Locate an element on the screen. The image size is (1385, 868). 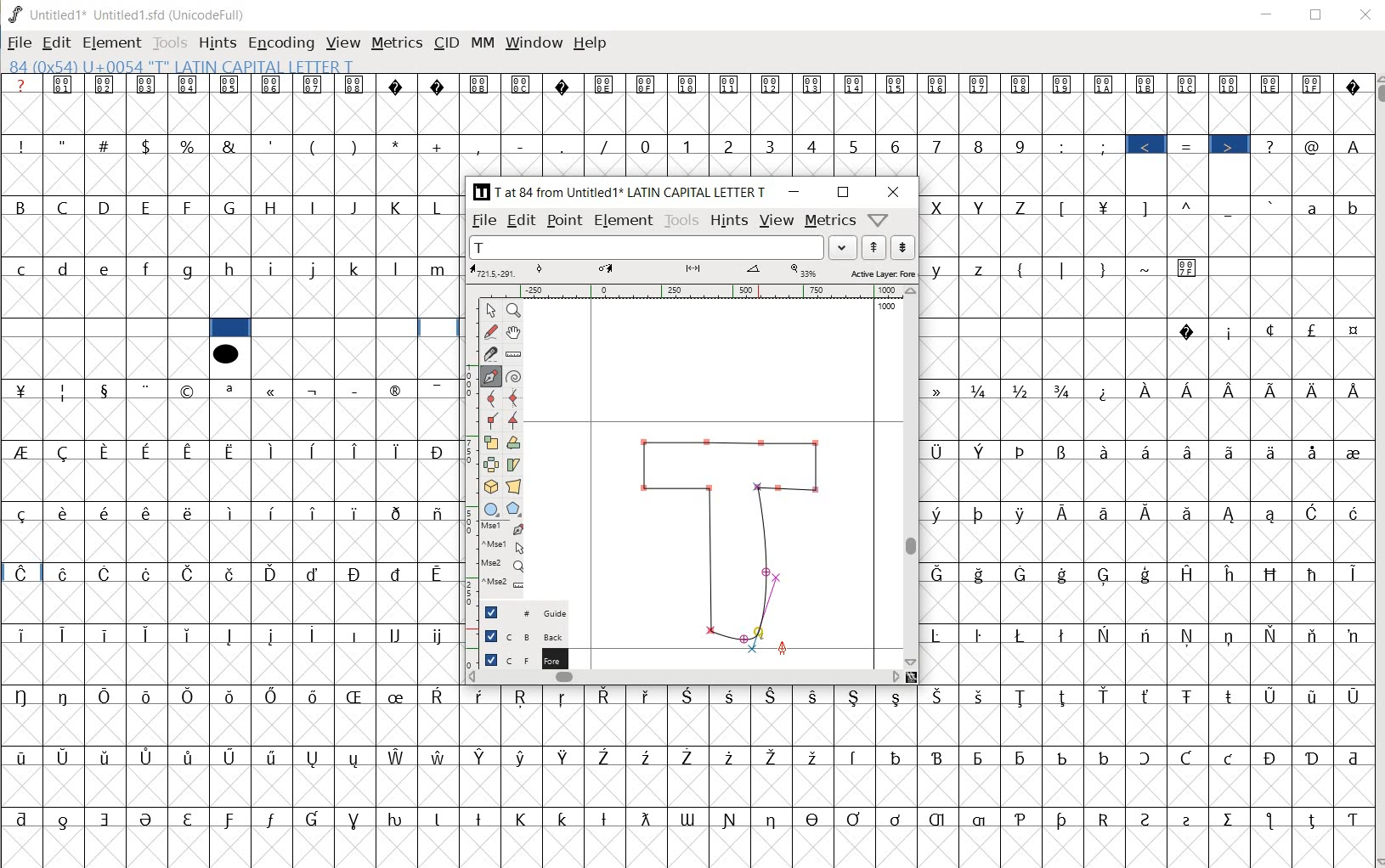
Symbol is located at coordinates (150, 450).